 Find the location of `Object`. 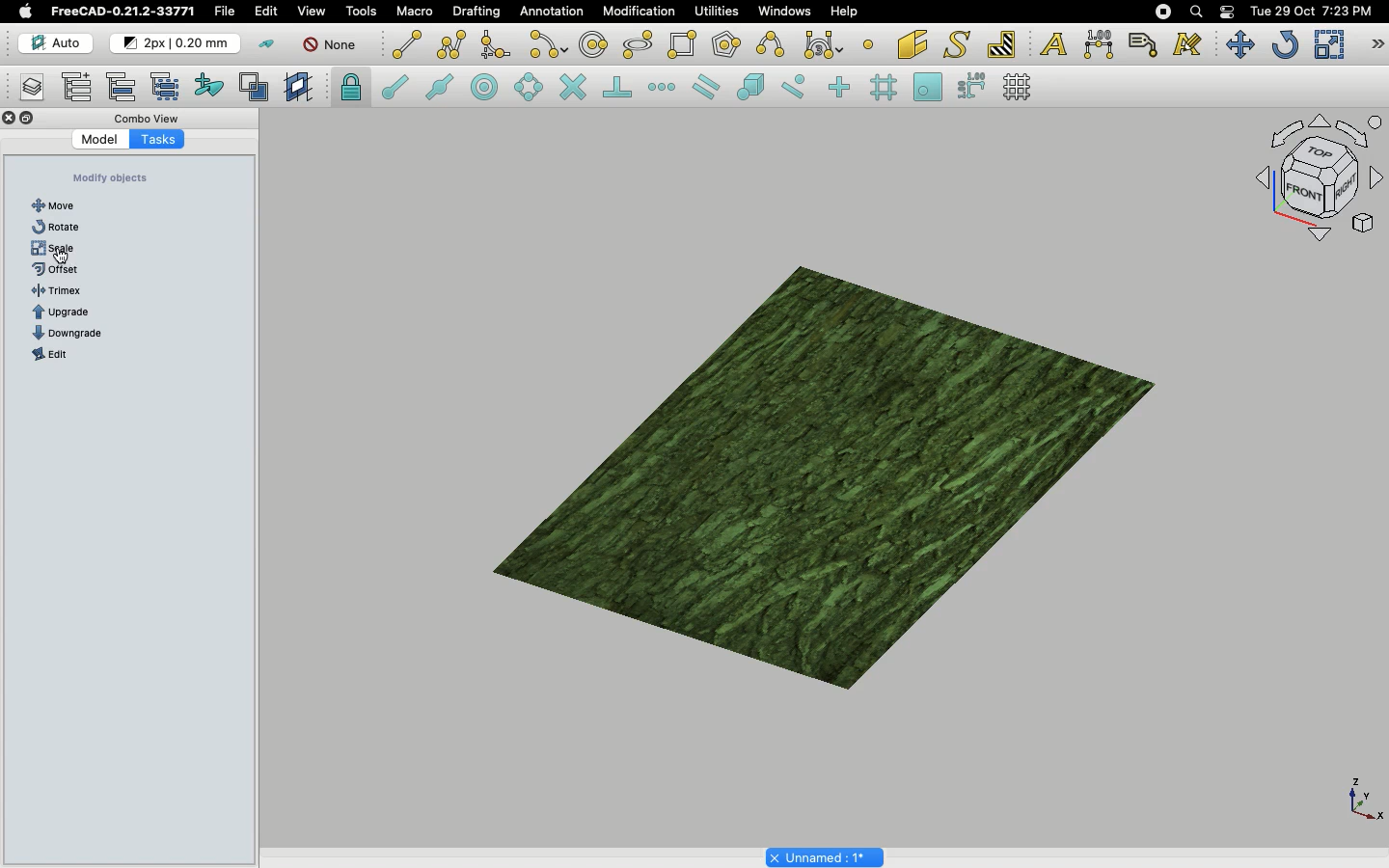

Object is located at coordinates (823, 459).